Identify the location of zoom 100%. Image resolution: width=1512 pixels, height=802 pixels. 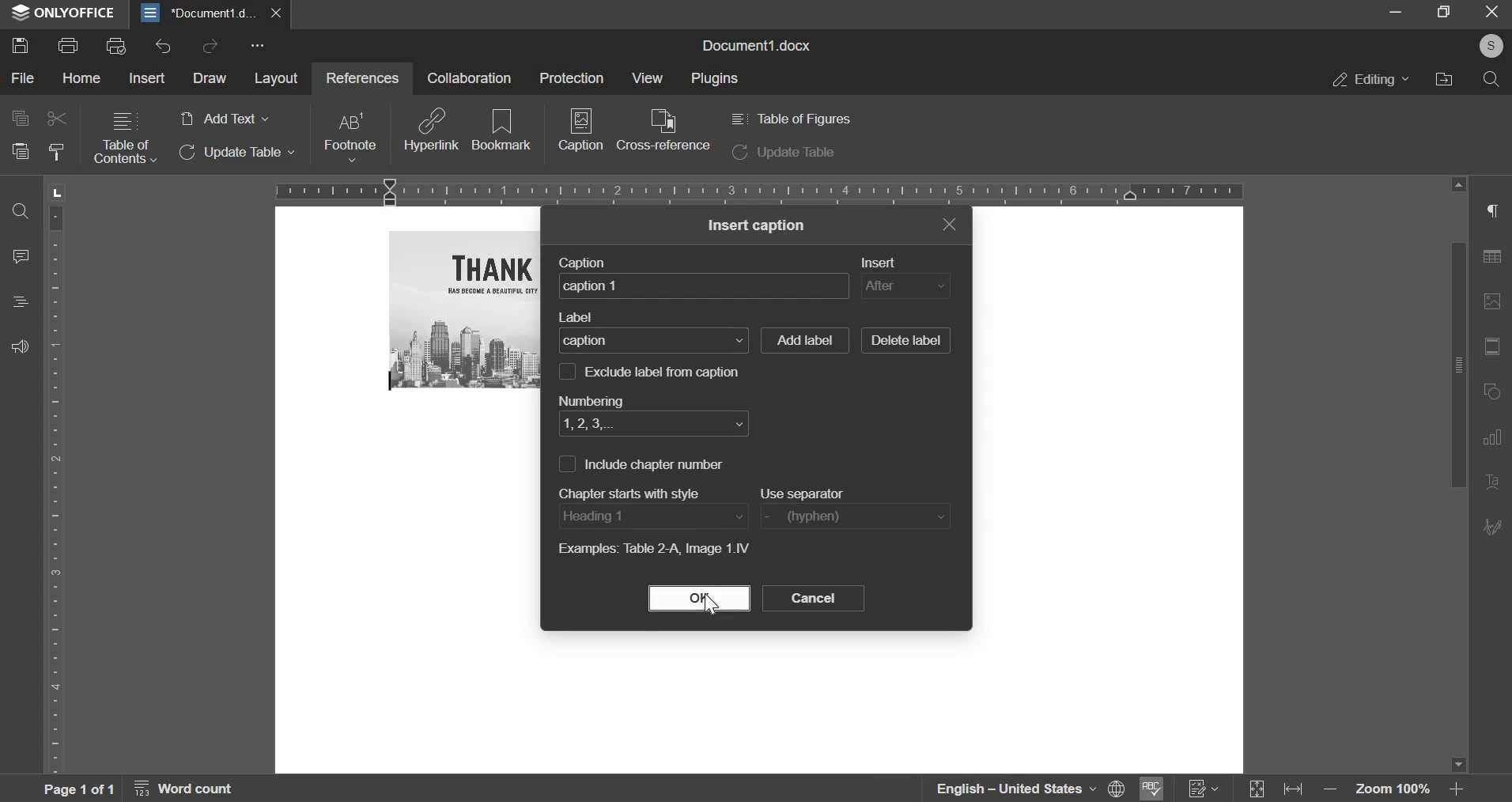
(1394, 791).